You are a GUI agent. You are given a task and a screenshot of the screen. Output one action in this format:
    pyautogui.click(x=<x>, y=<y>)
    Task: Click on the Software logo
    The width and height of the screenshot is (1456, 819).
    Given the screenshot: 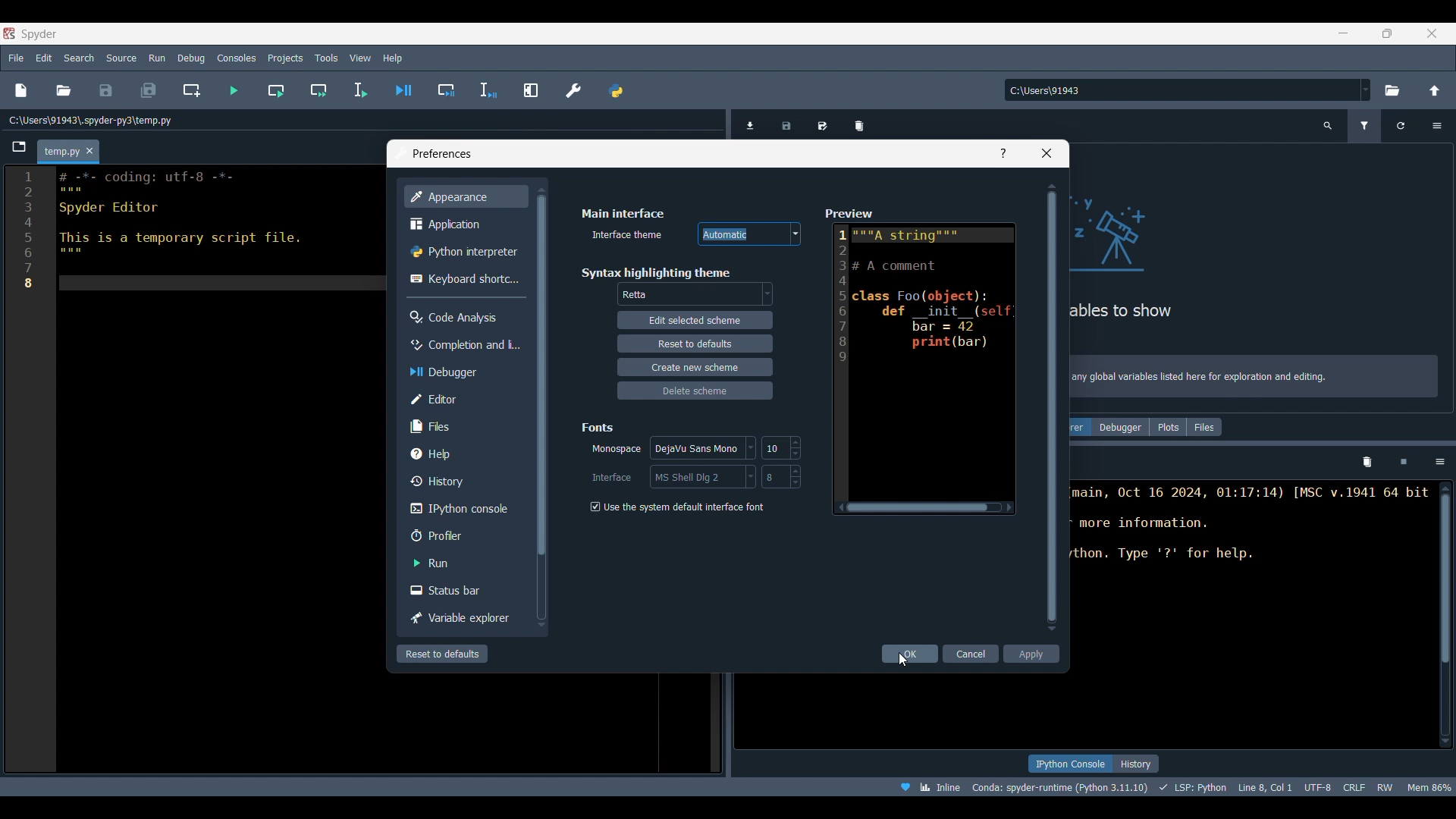 What is the action you would take?
    pyautogui.click(x=9, y=33)
    